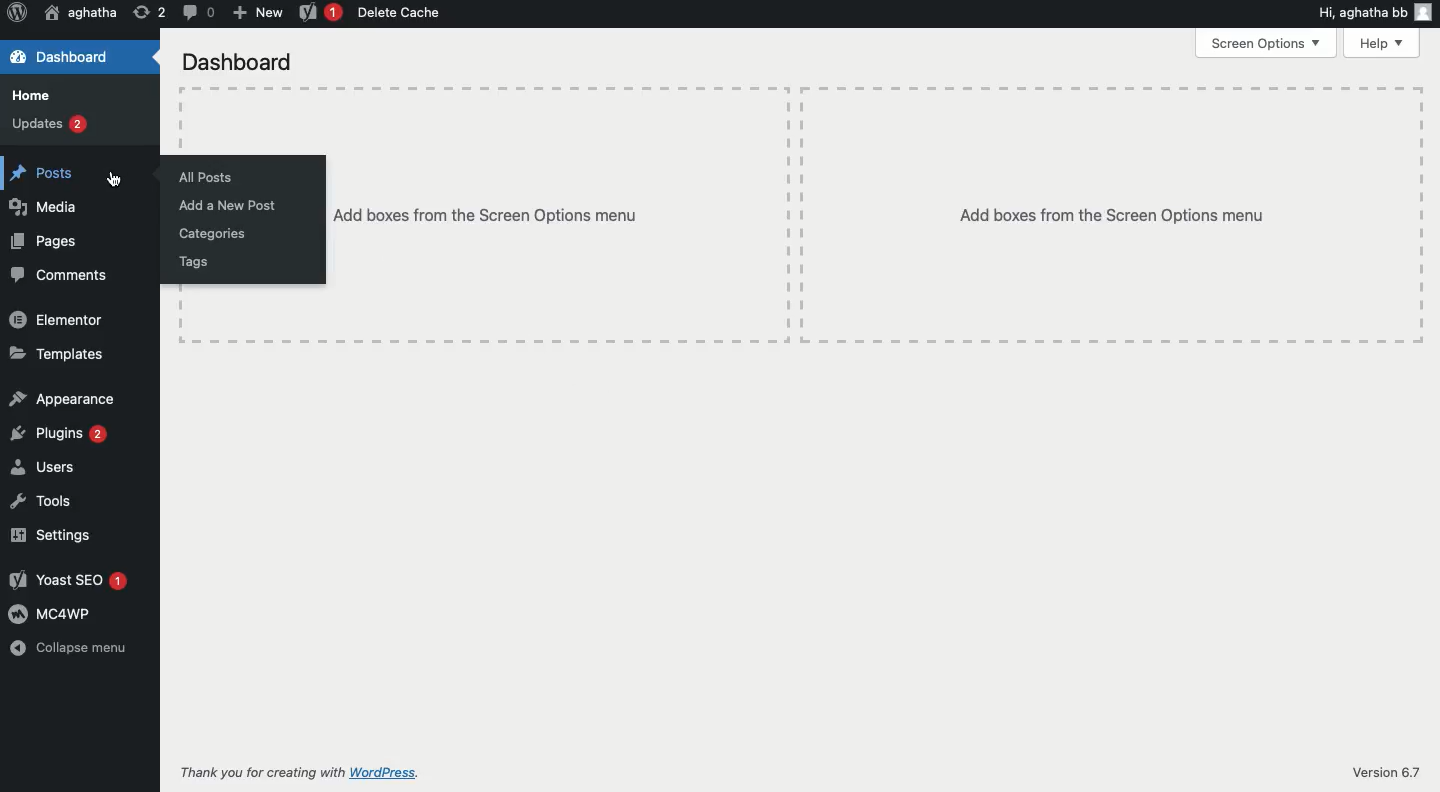 This screenshot has height=792, width=1440. I want to click on Thank you for creating with, so click(263, 773).